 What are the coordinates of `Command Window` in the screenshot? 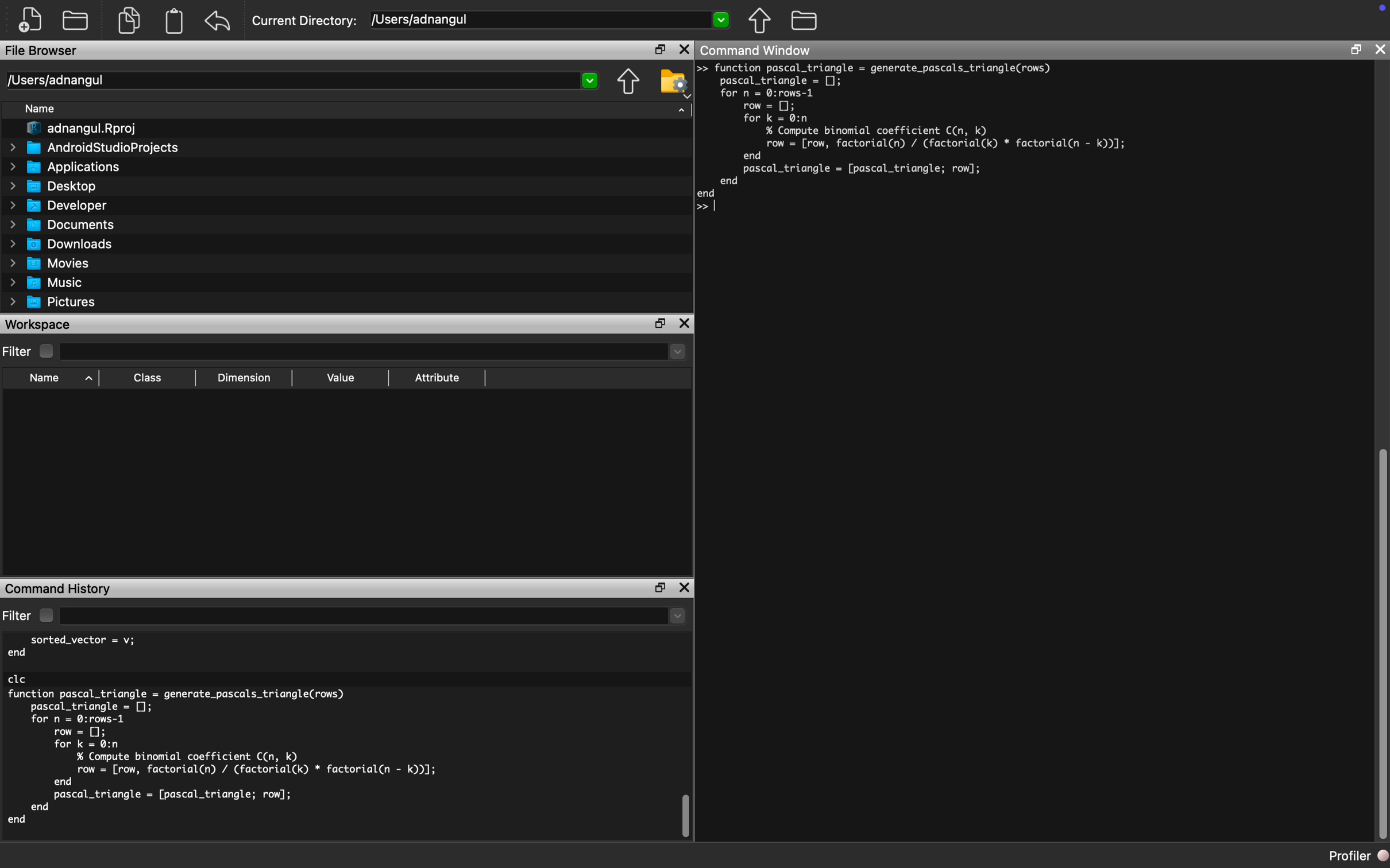 It's located at (758, 49).